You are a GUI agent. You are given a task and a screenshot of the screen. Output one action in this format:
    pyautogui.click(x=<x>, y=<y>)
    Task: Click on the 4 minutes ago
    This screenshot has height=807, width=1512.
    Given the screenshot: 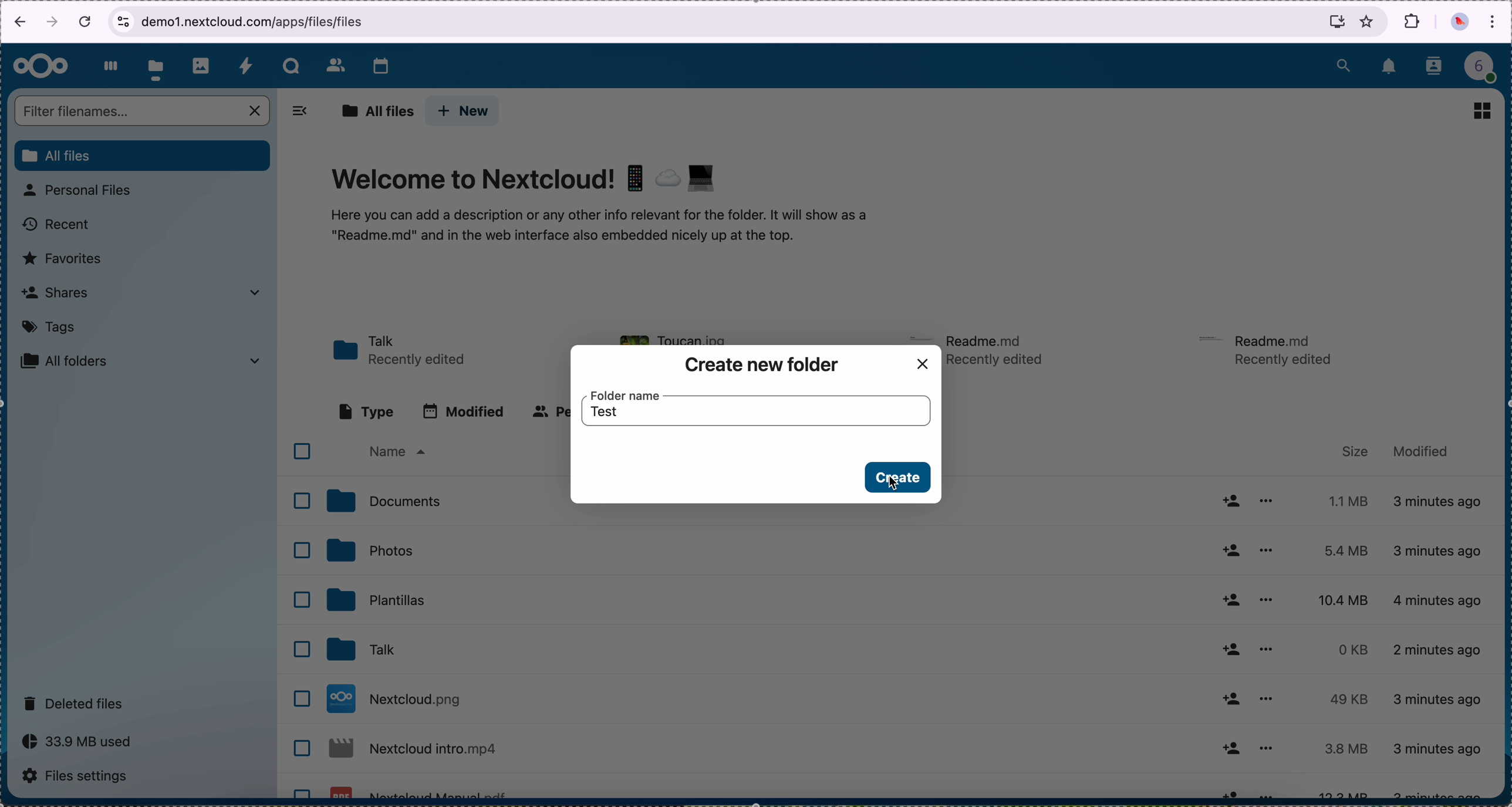 What is the action you would take?
    pyautogui.click(x=1439, y=654)
    